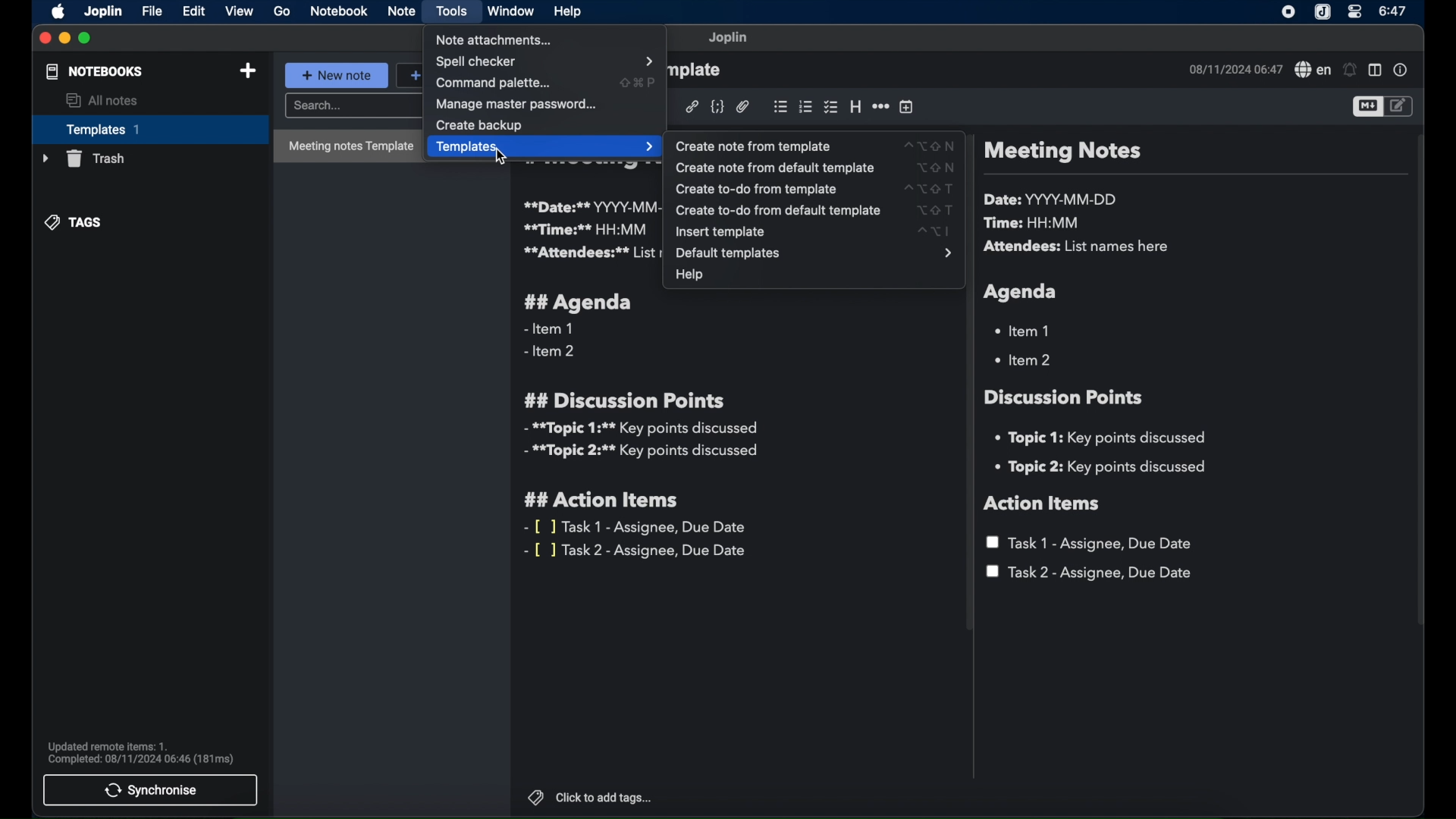  I want to click on close, so click(45, 39).